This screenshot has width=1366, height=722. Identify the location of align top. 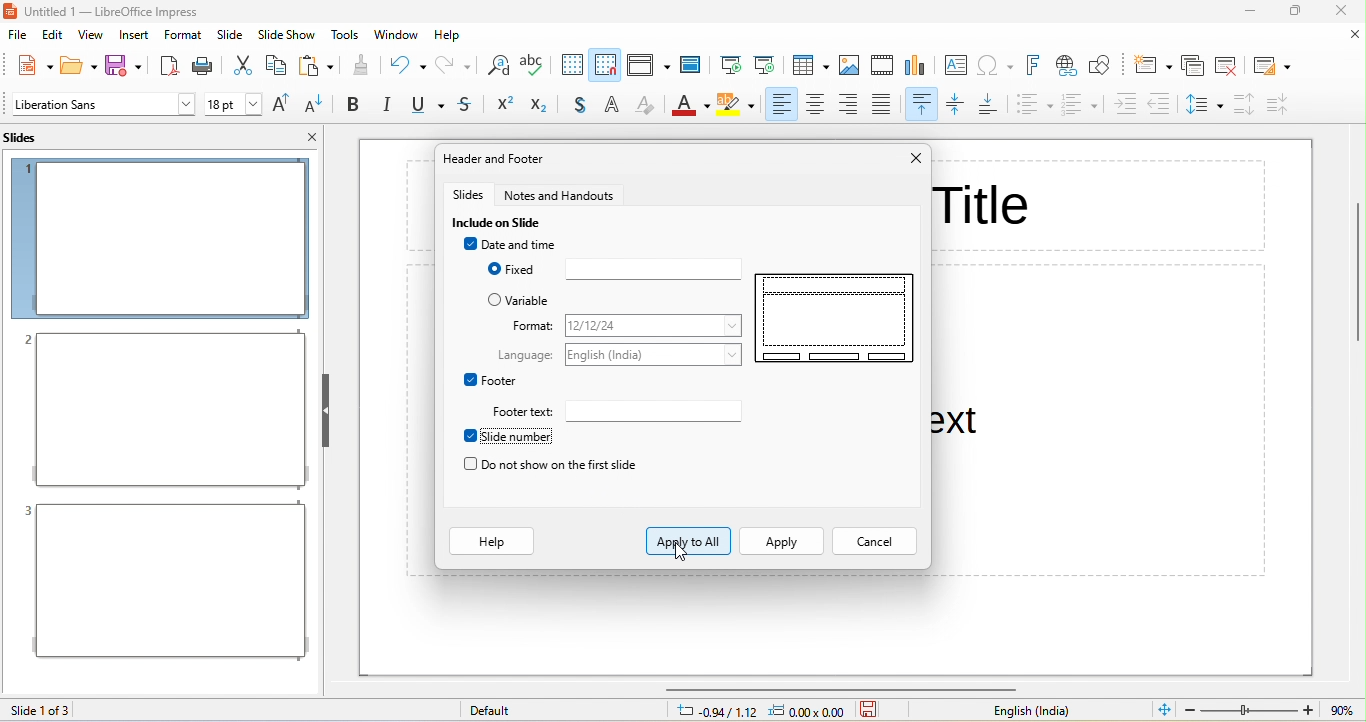
(923, 105).